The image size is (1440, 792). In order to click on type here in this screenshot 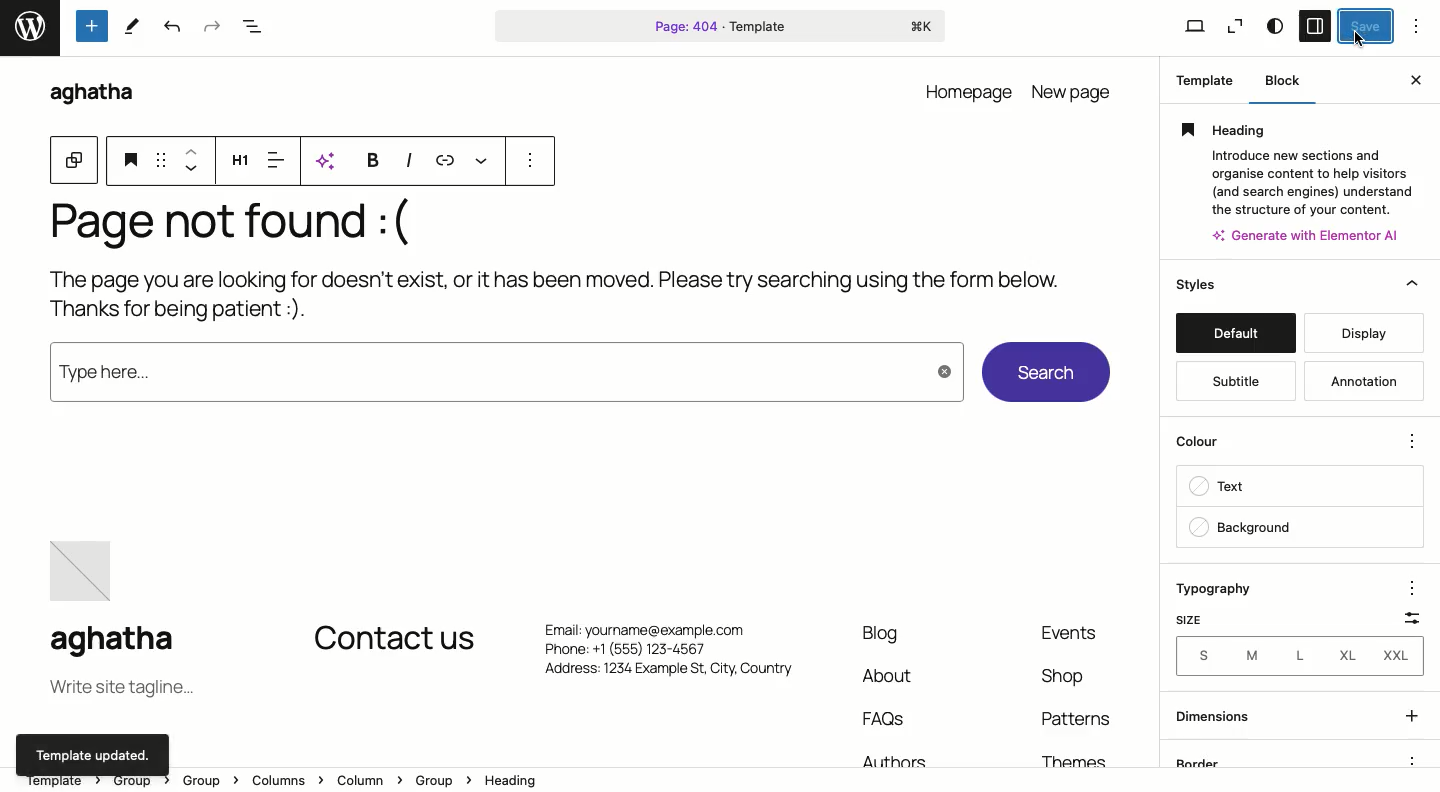, I will do `click(498, 373)`.